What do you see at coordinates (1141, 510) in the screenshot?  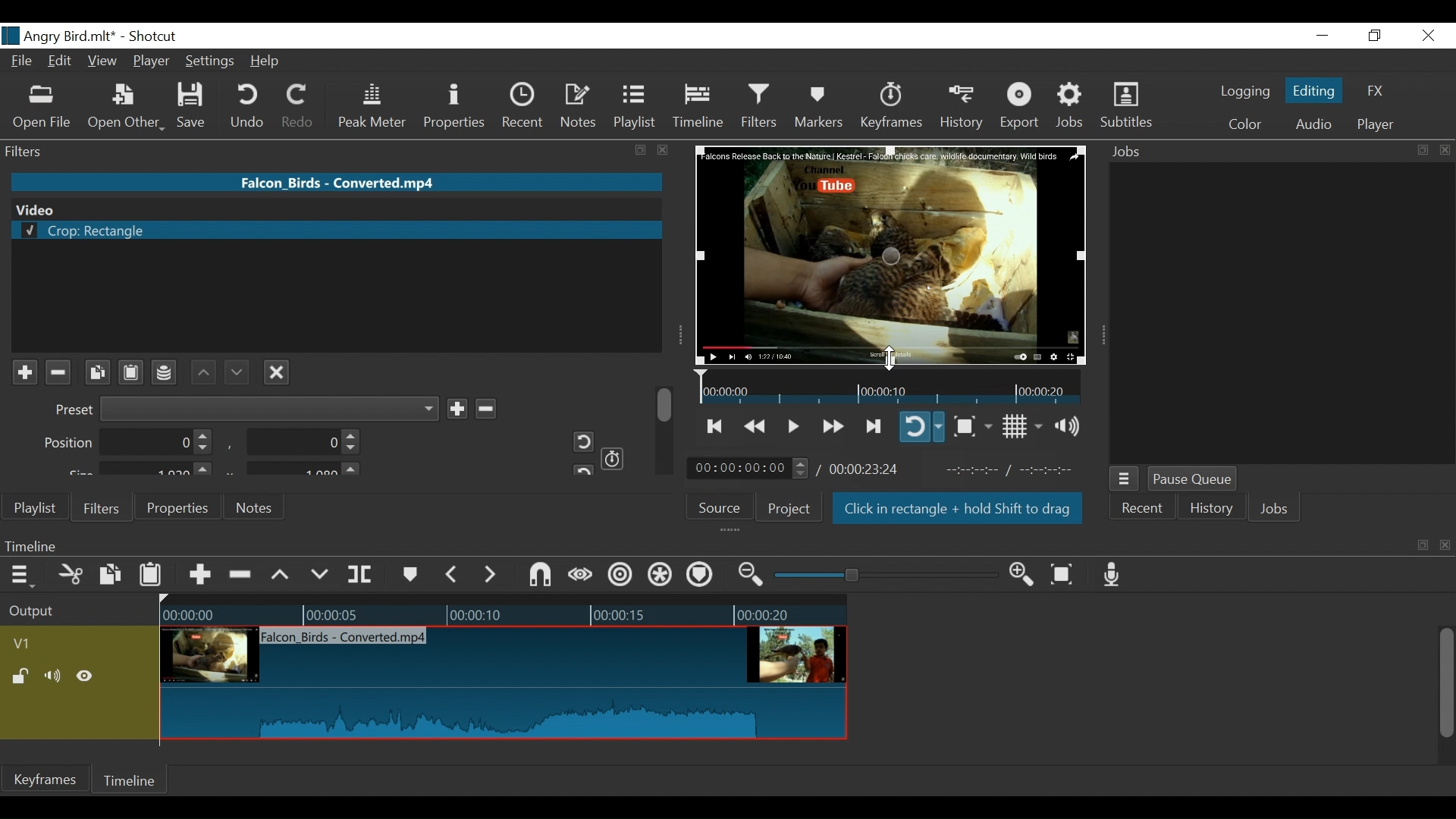 I see `Recent` at bounding box center [1141, 510].